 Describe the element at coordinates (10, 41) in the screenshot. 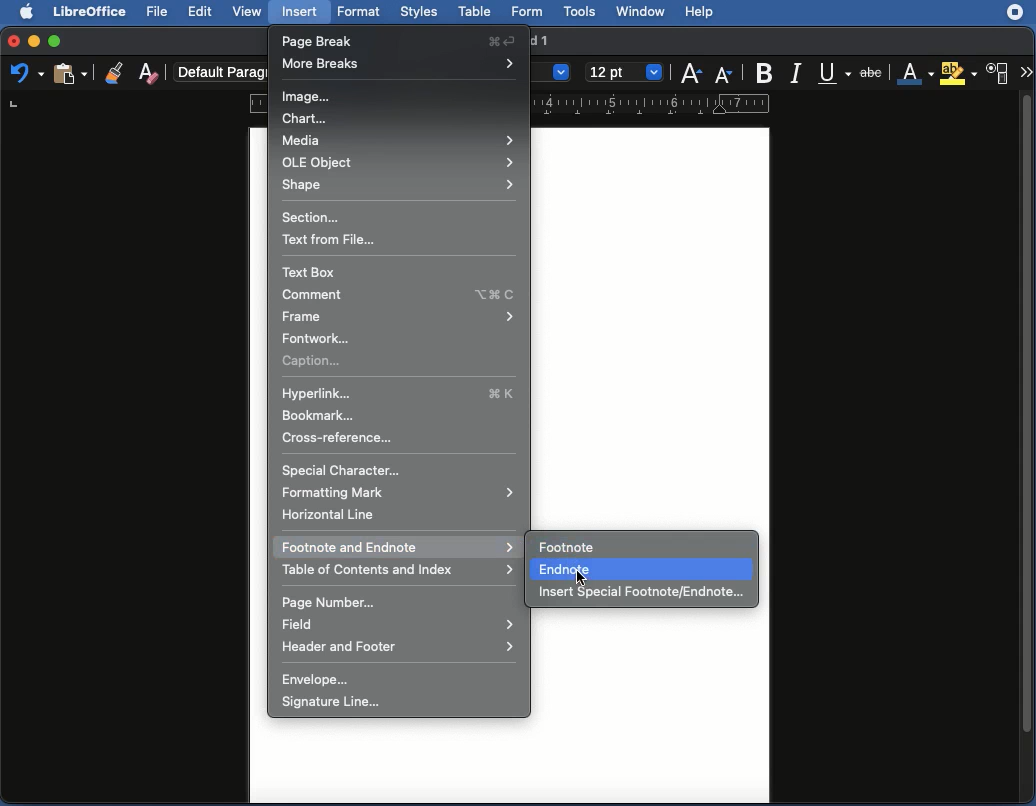

I see `Close` at that location.